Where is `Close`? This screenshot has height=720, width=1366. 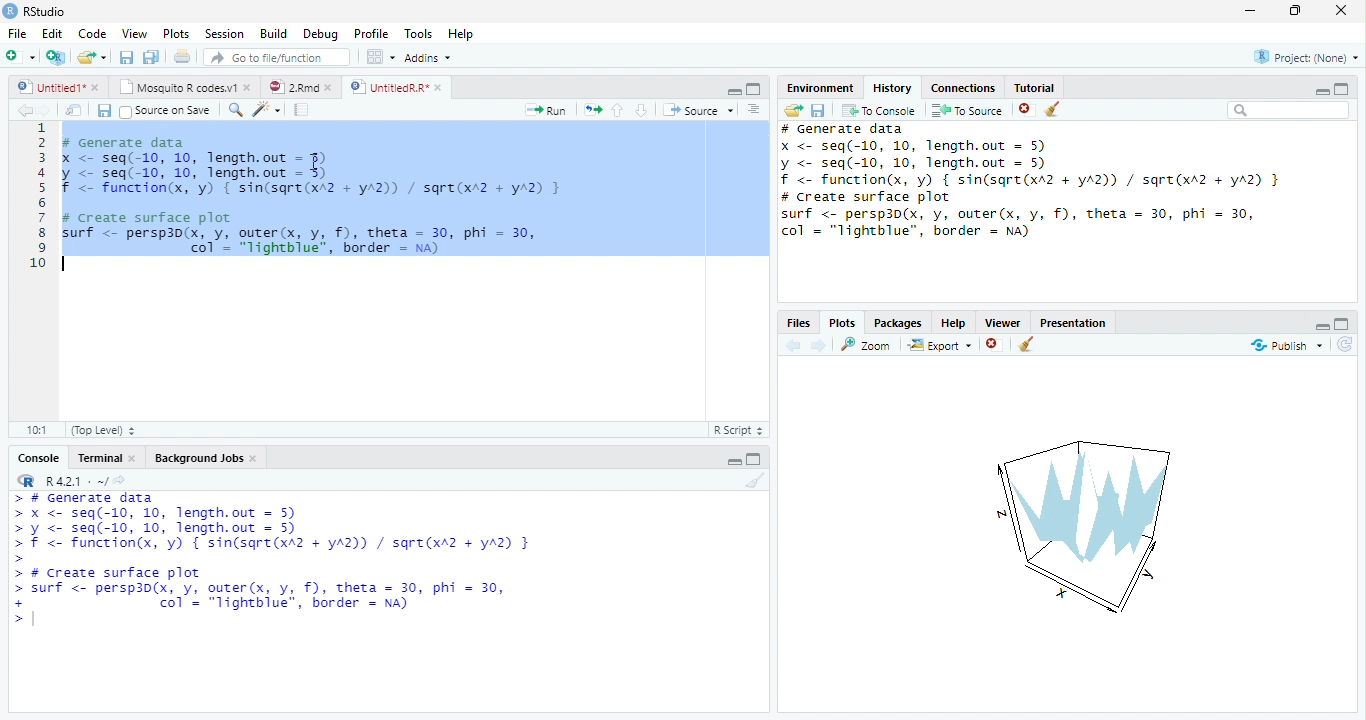 Close is located at coordinates (254, 458).